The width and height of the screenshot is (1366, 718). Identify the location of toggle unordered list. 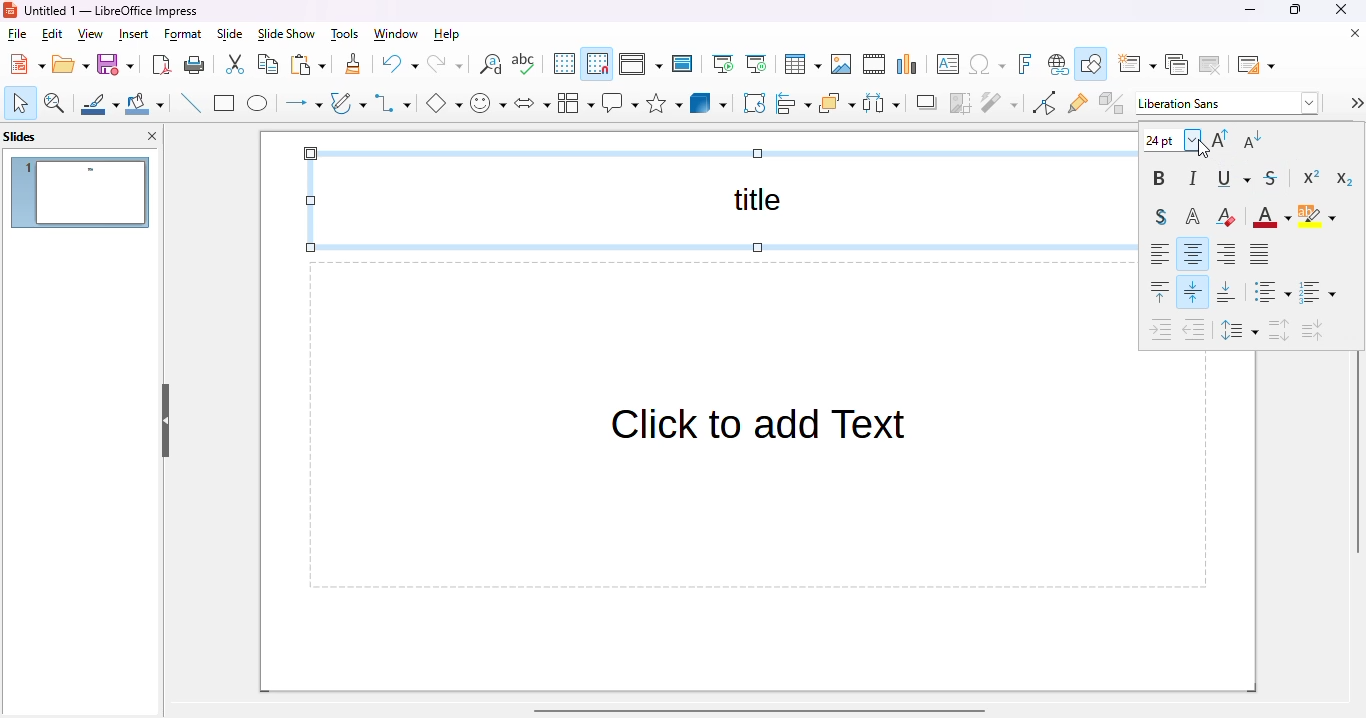
(1273, 291).